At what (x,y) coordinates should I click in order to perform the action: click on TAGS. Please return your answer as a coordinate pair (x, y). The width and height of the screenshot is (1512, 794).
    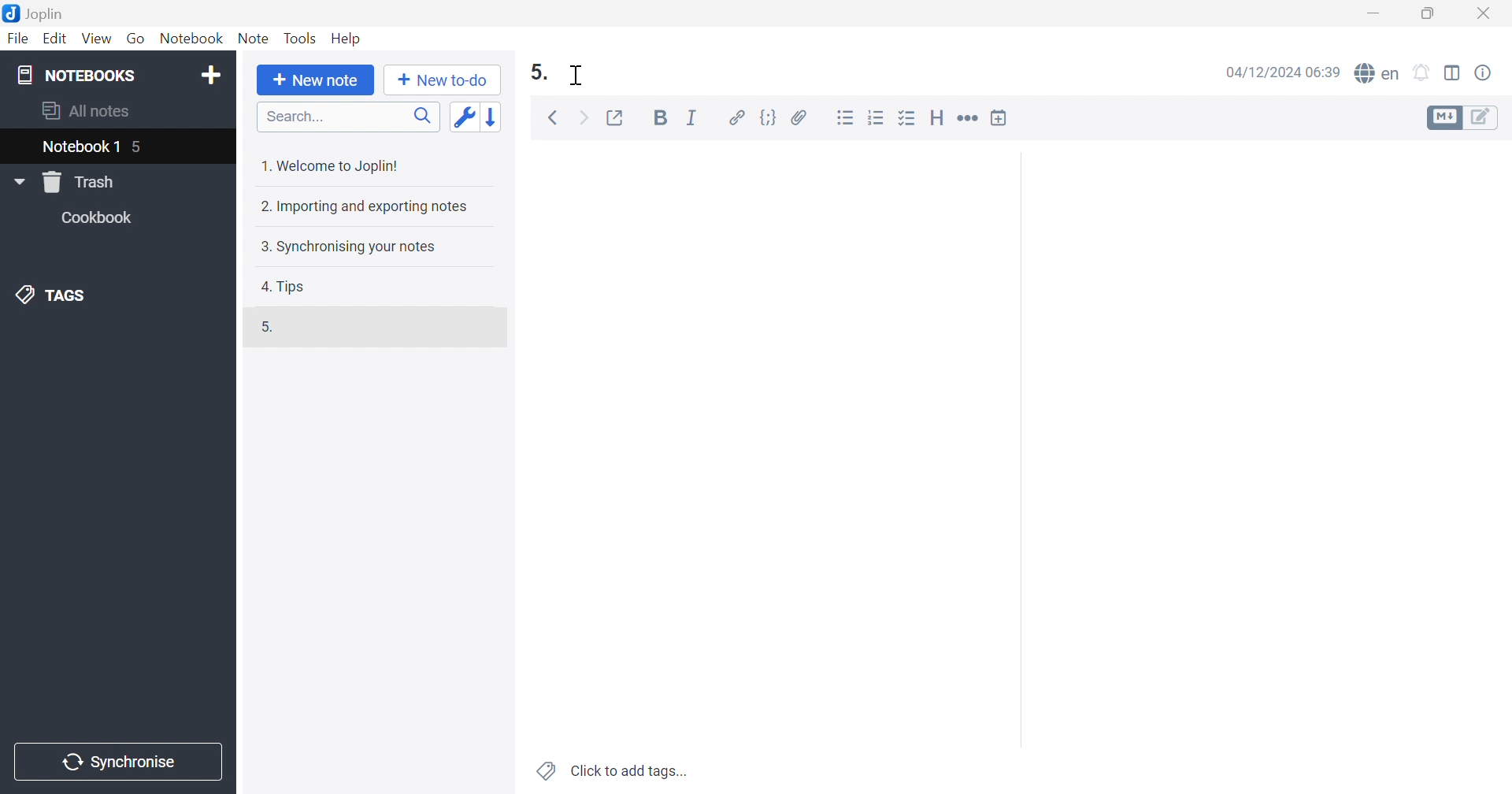
    Looking at the image, I should click on (59, 295).